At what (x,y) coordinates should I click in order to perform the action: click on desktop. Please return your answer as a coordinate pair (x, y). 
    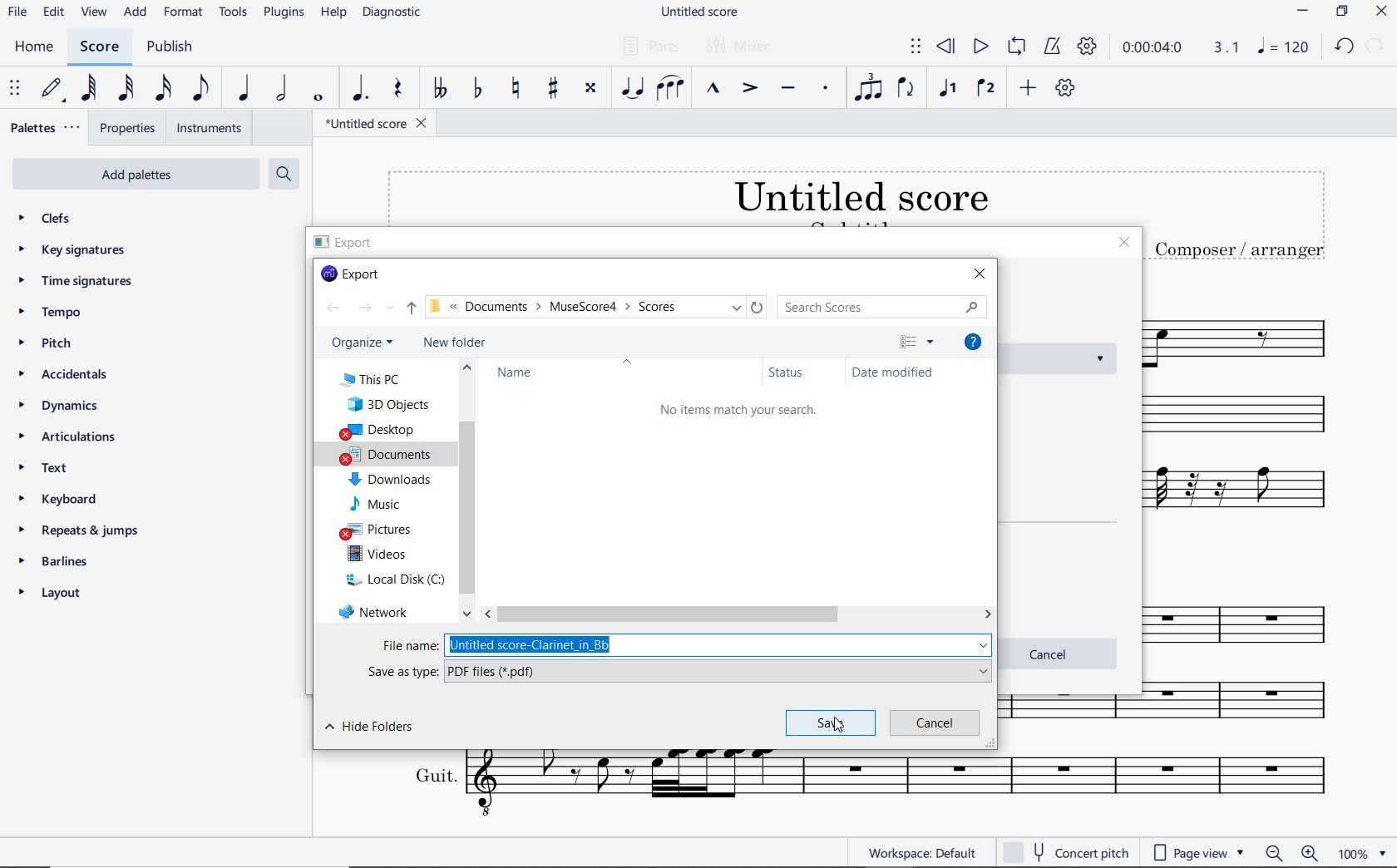
    Looking at the image, I should click on (383, 430).